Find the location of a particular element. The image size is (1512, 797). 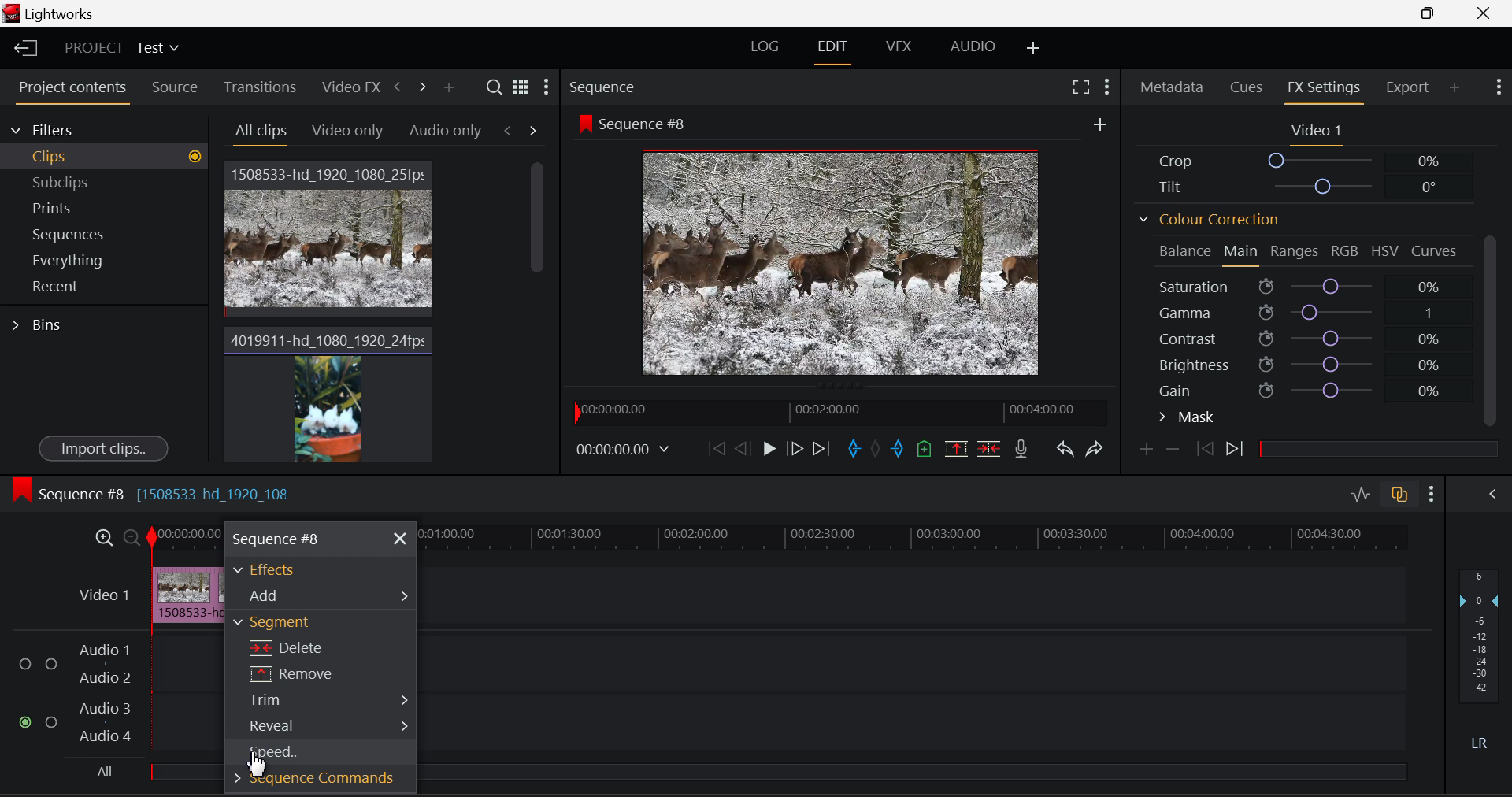

Previous keyframe is located at coordinates (1202, 450).